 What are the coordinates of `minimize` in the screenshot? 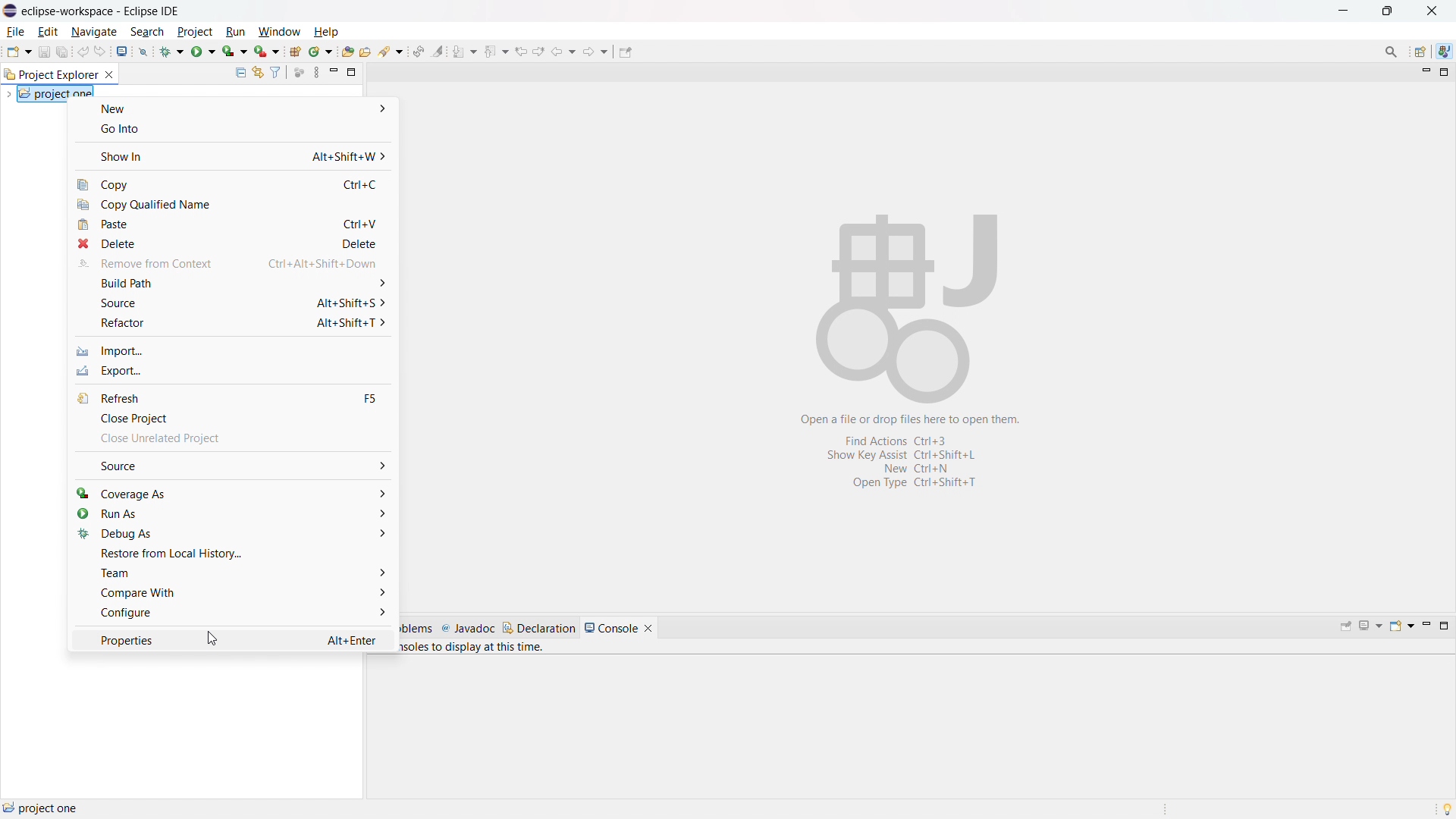 It's located at (1424, 73).